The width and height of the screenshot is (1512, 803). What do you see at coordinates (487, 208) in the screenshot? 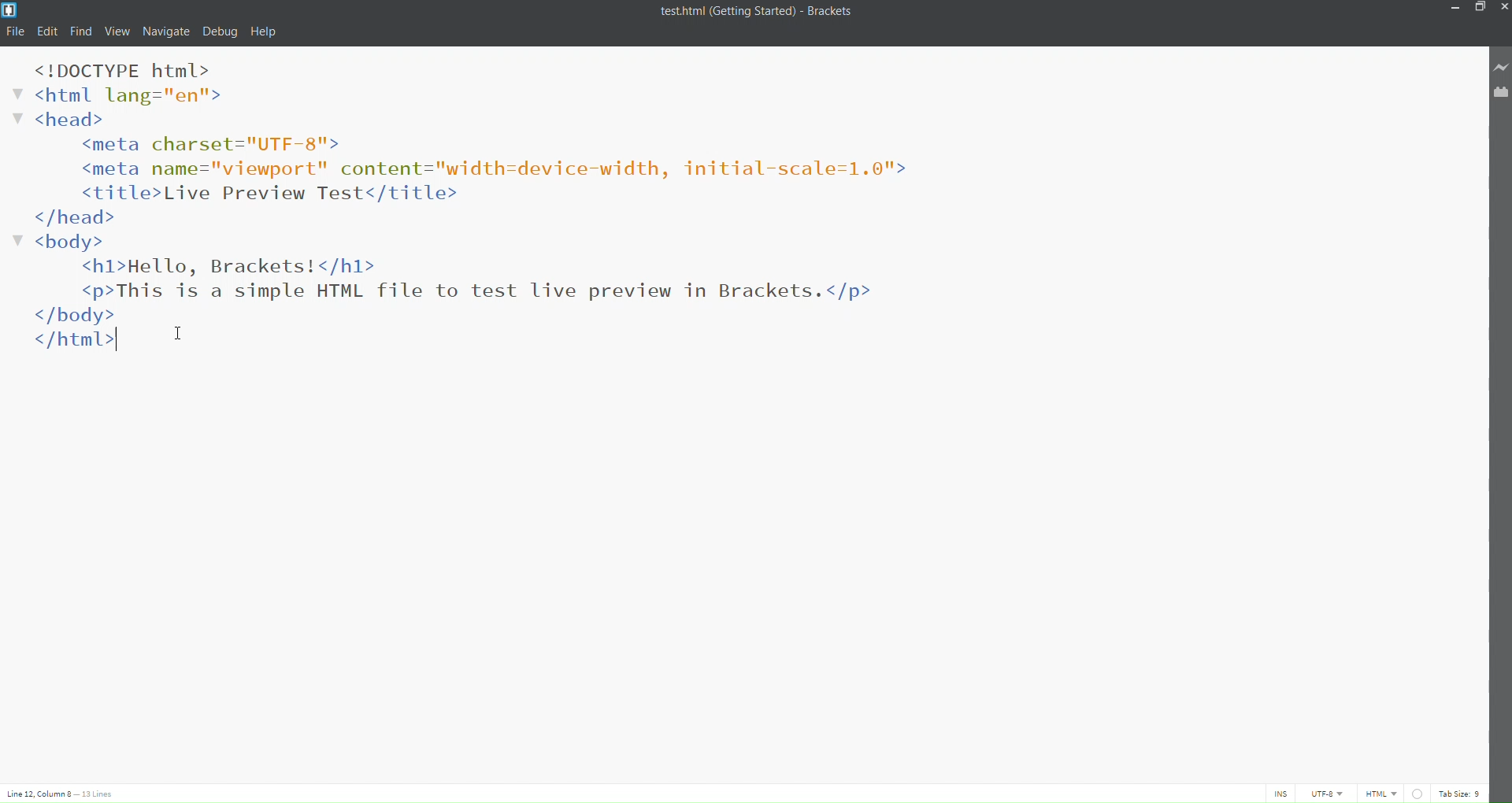
I see `HTML Code` at bounding box center [487, 208].